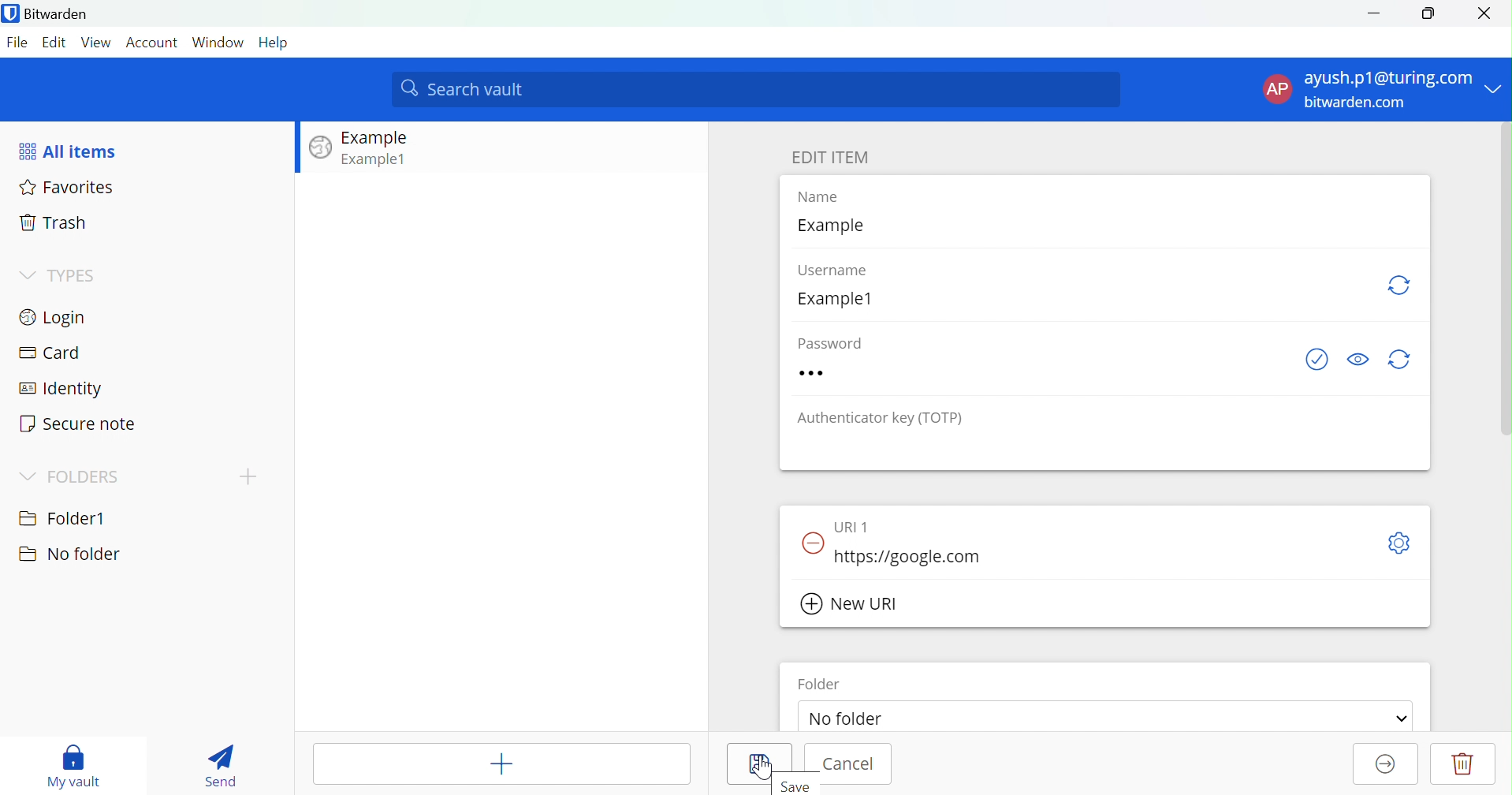  I want to click on Window, so click(218, 42).